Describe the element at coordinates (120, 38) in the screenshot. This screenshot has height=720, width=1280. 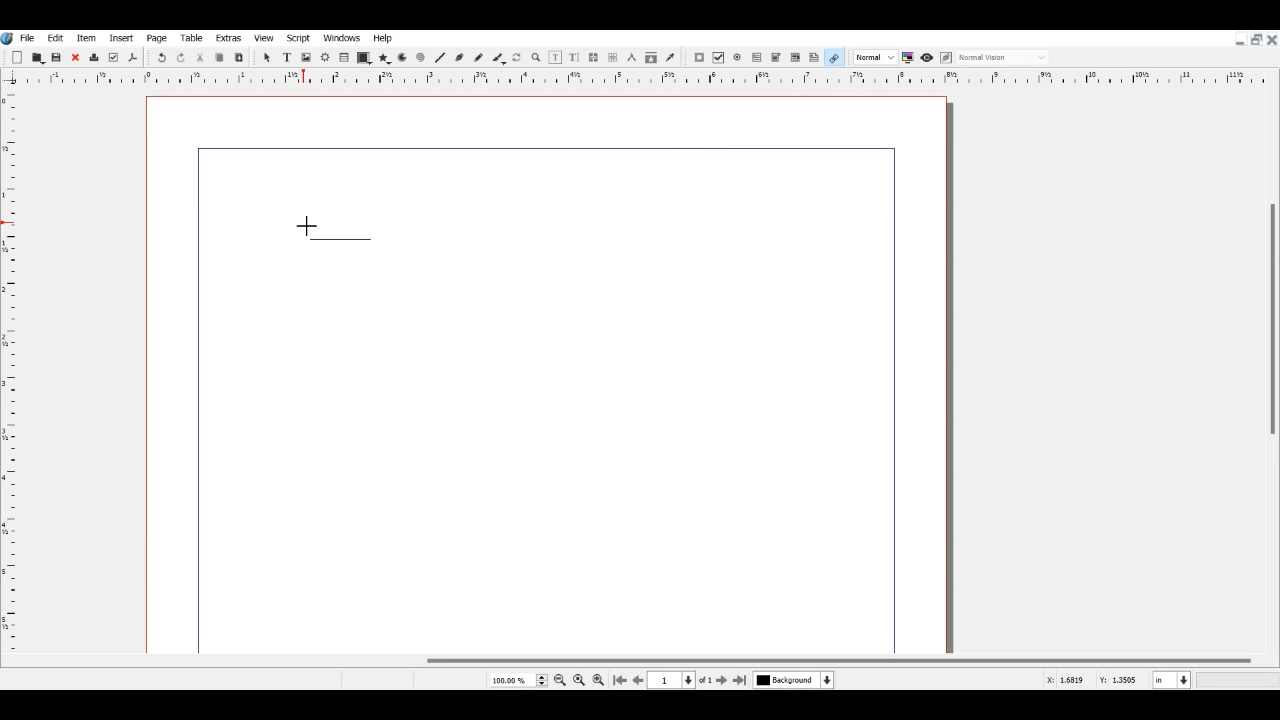
I see `Insert` at that location.